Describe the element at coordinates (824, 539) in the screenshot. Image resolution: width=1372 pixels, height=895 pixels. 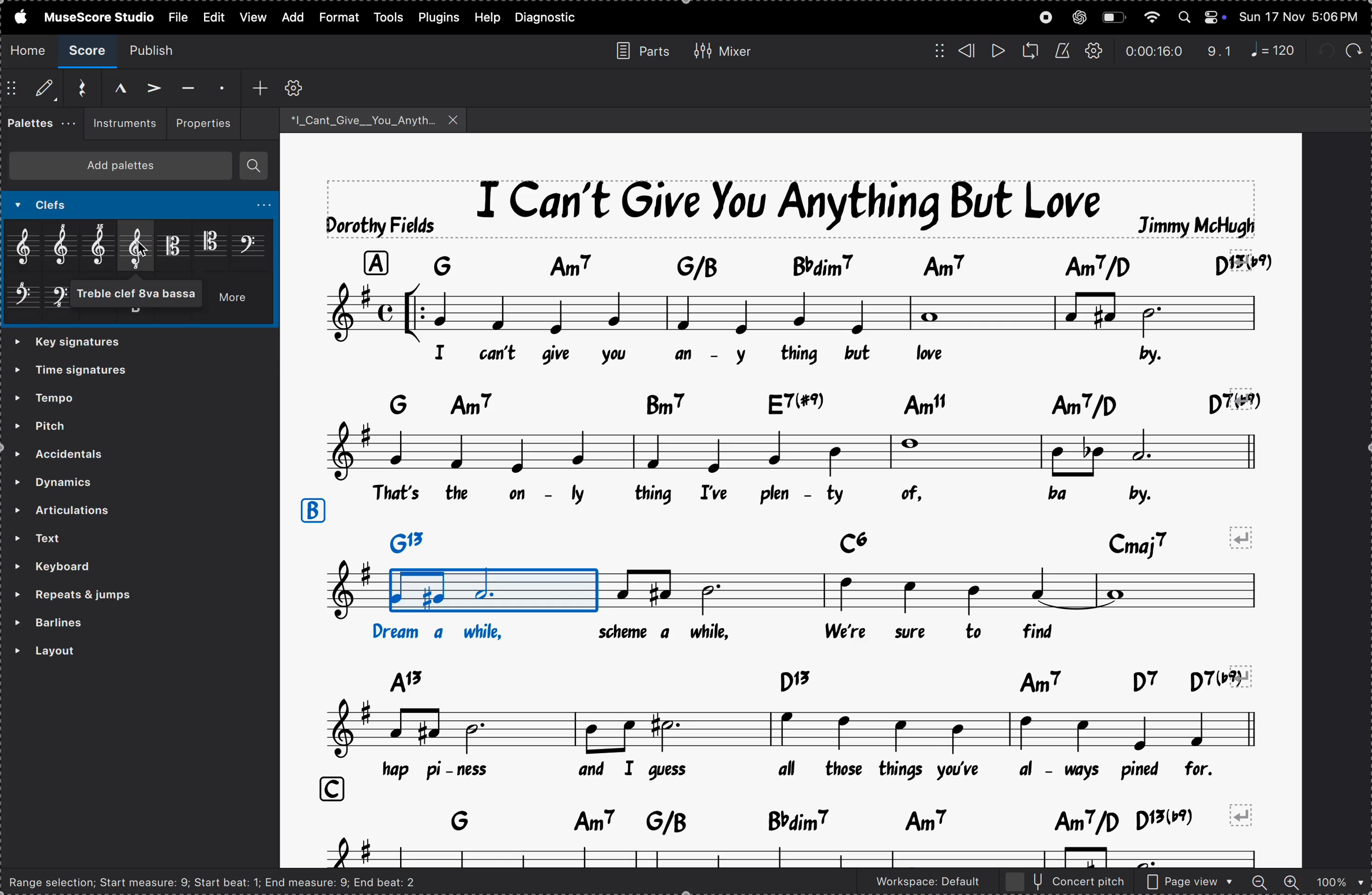
I see `key notes` at that location.